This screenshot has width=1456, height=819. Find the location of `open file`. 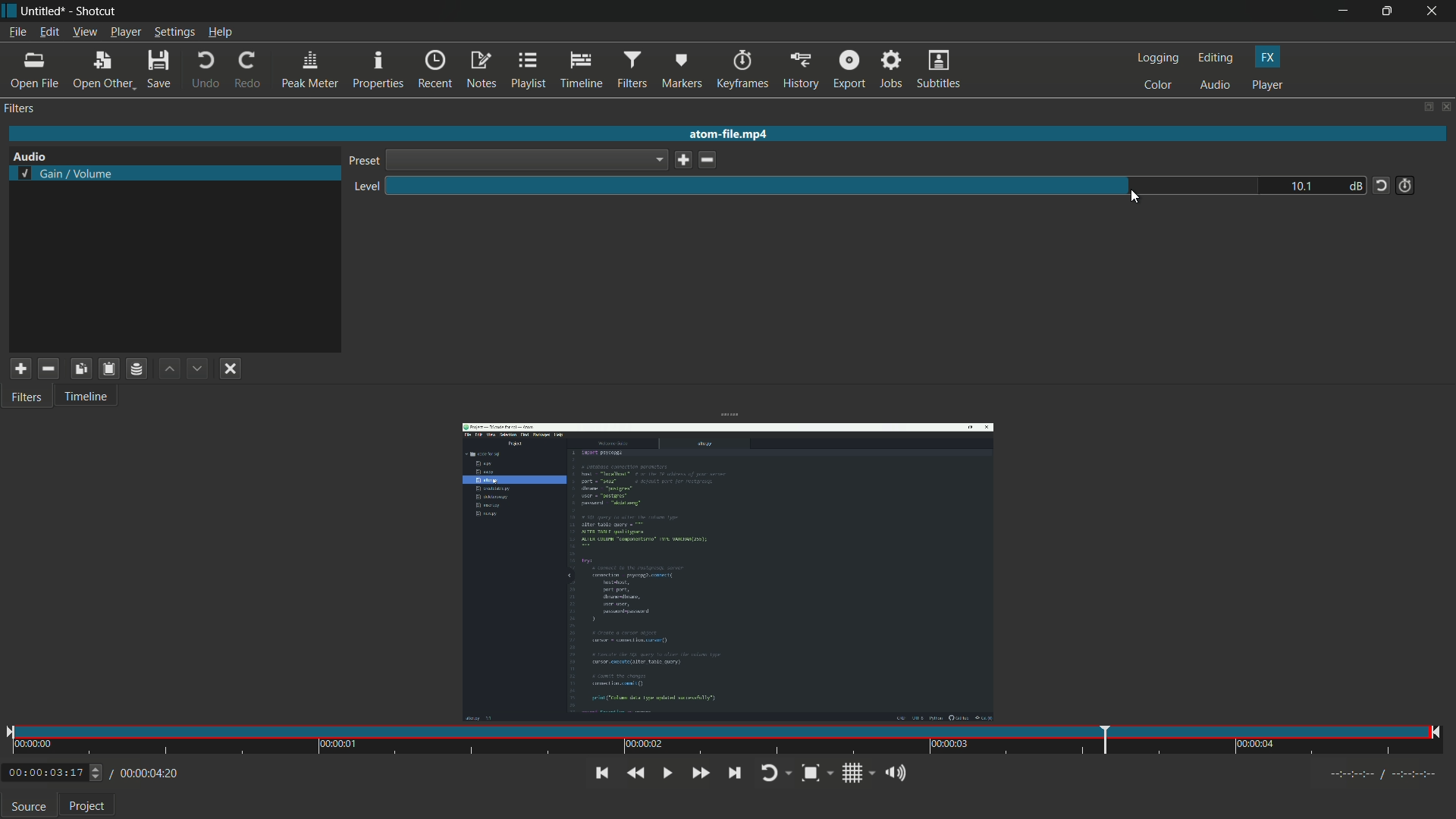

open file is located at coordinates (36, 71).